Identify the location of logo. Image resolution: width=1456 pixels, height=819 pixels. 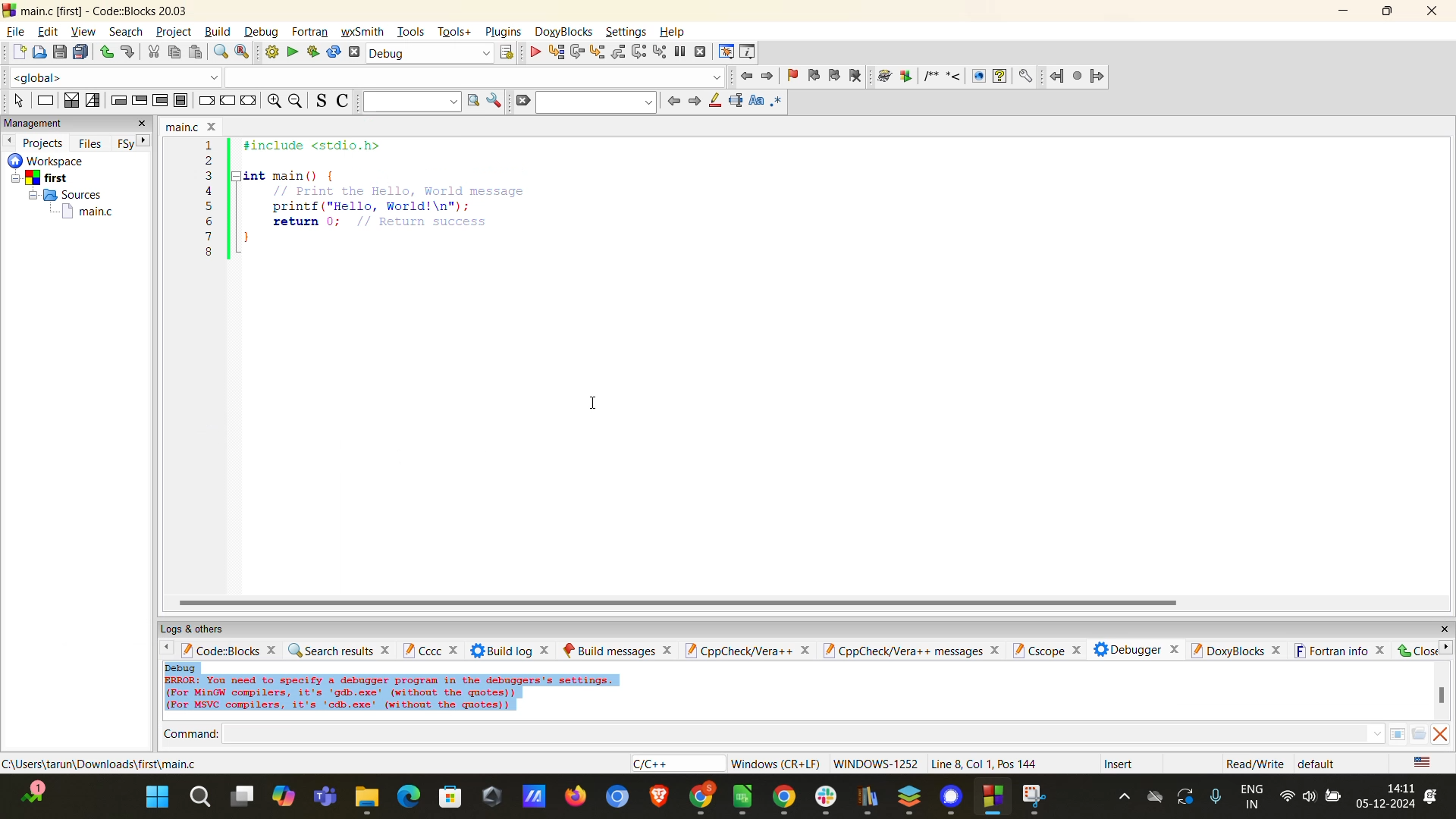
(742, 796).